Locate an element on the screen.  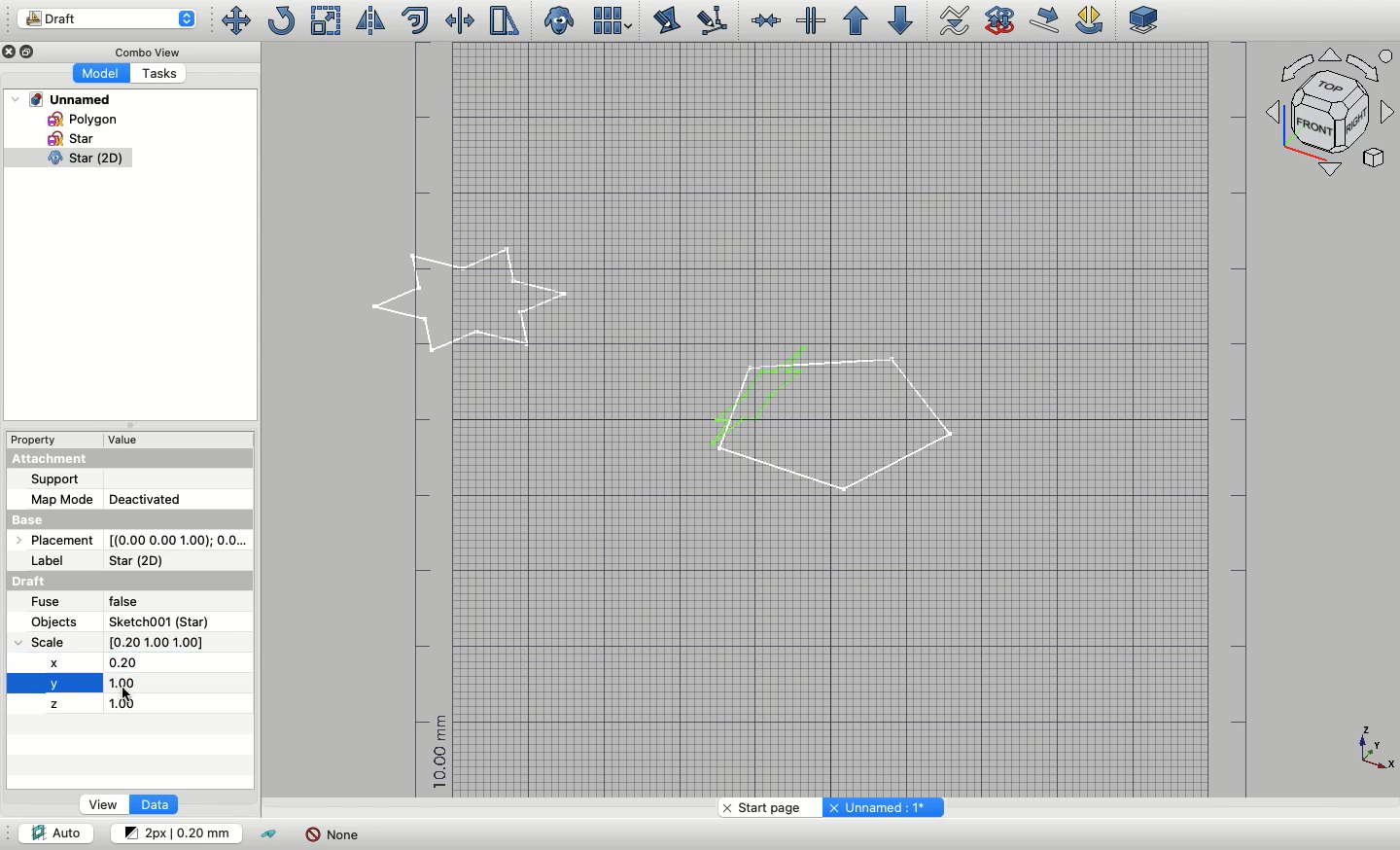
Objects is located at coordinates (56, 621).